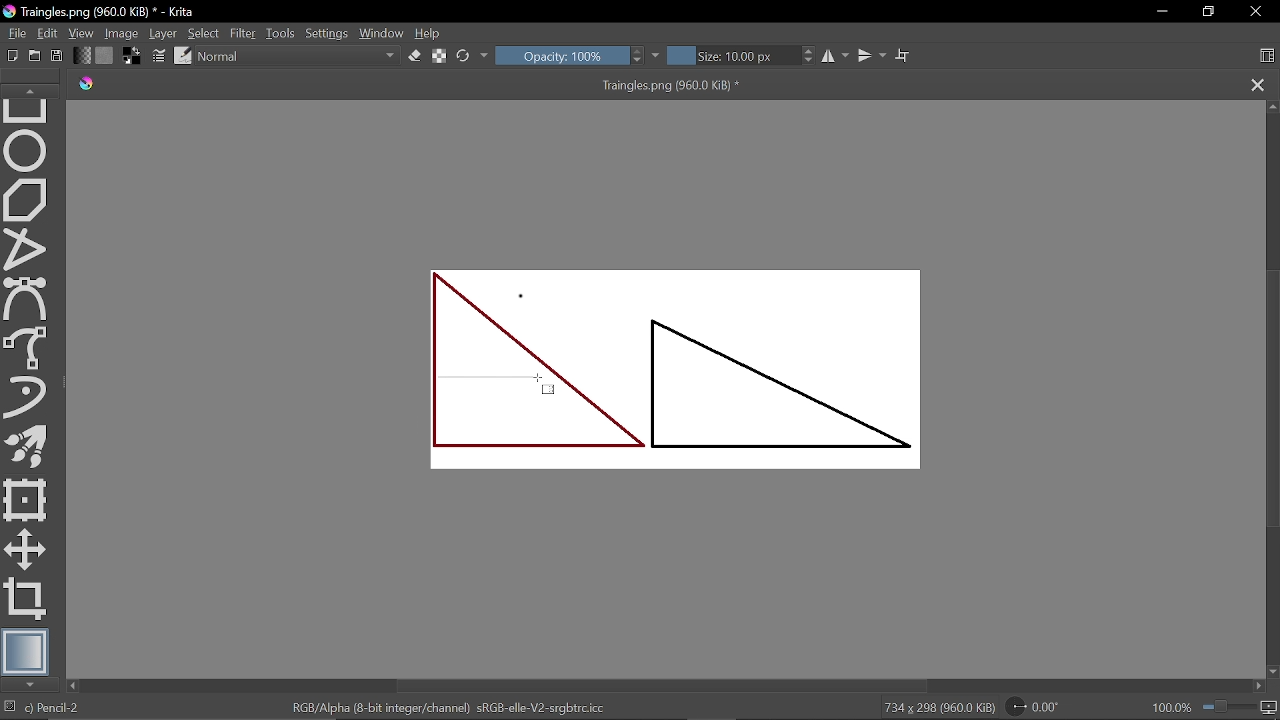 This screenshot has height=720, width=1280. What do you see at coordinates (654, 85) in the screenshot?
I see `Traingles.png (960.0 KiB) *` at bounding box center [654, 85].